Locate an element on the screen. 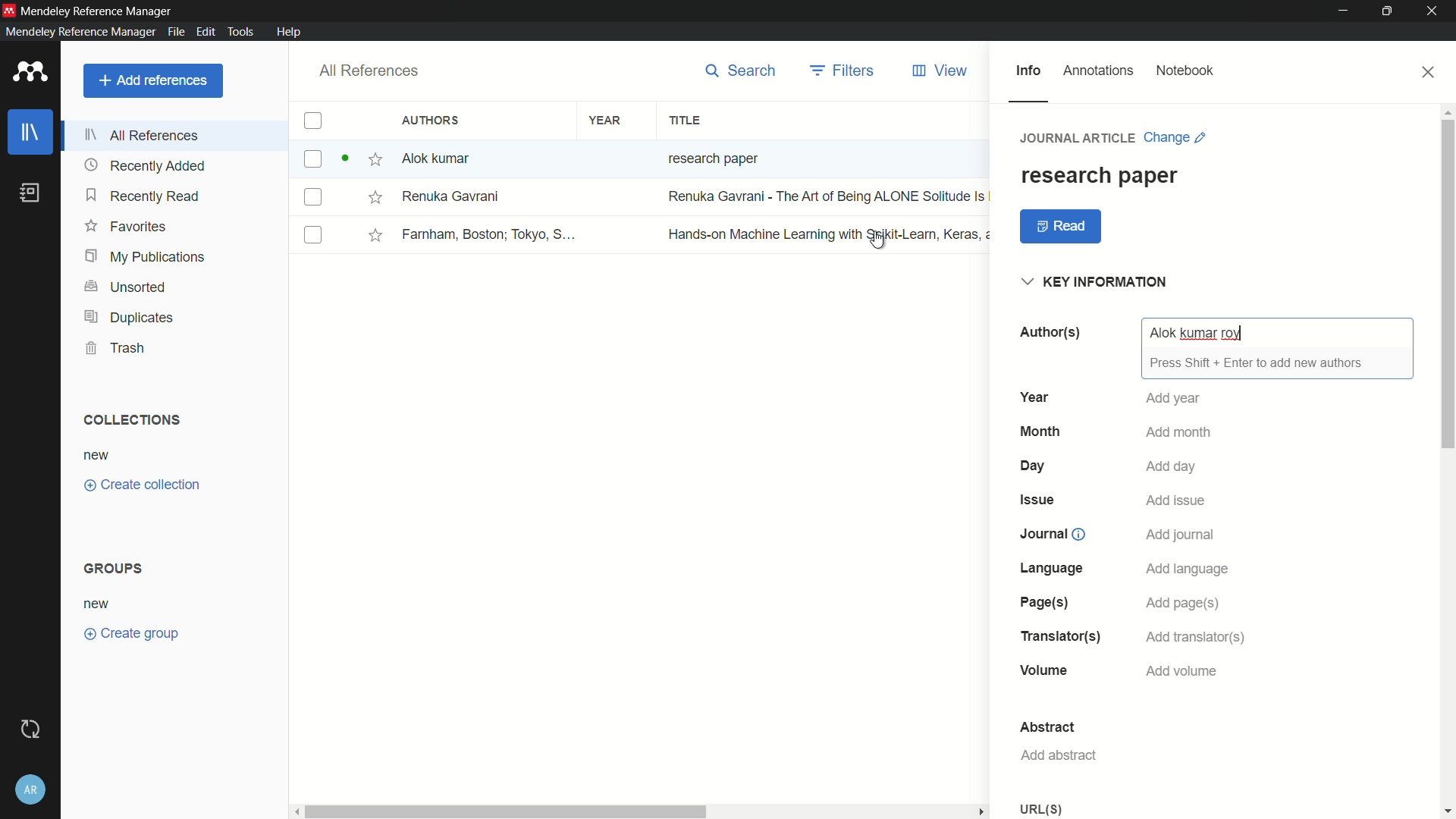  laguage is located at coordinates (1050, 568).